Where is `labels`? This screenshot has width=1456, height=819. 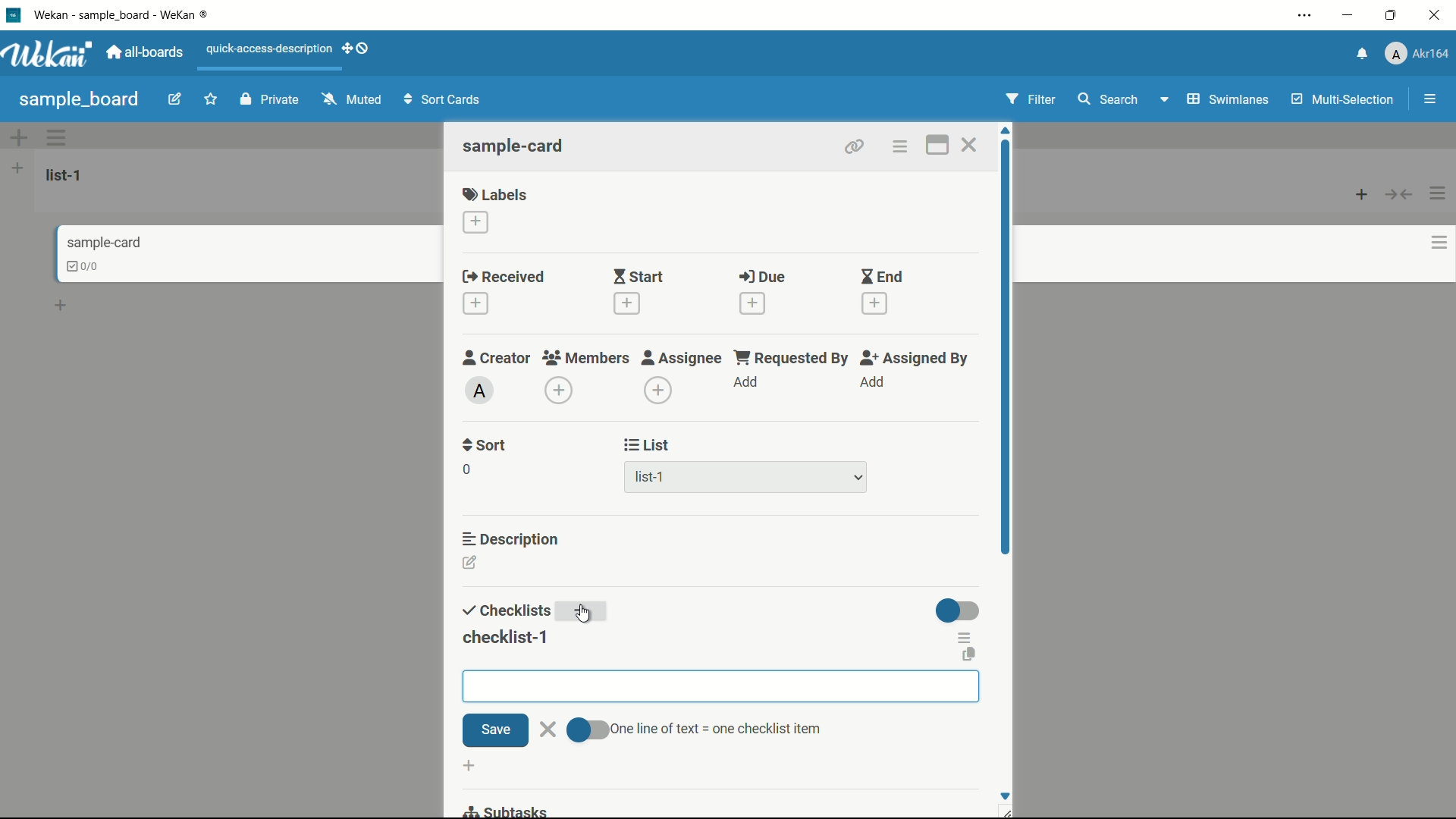 labels is located at coordinates (495, 193).